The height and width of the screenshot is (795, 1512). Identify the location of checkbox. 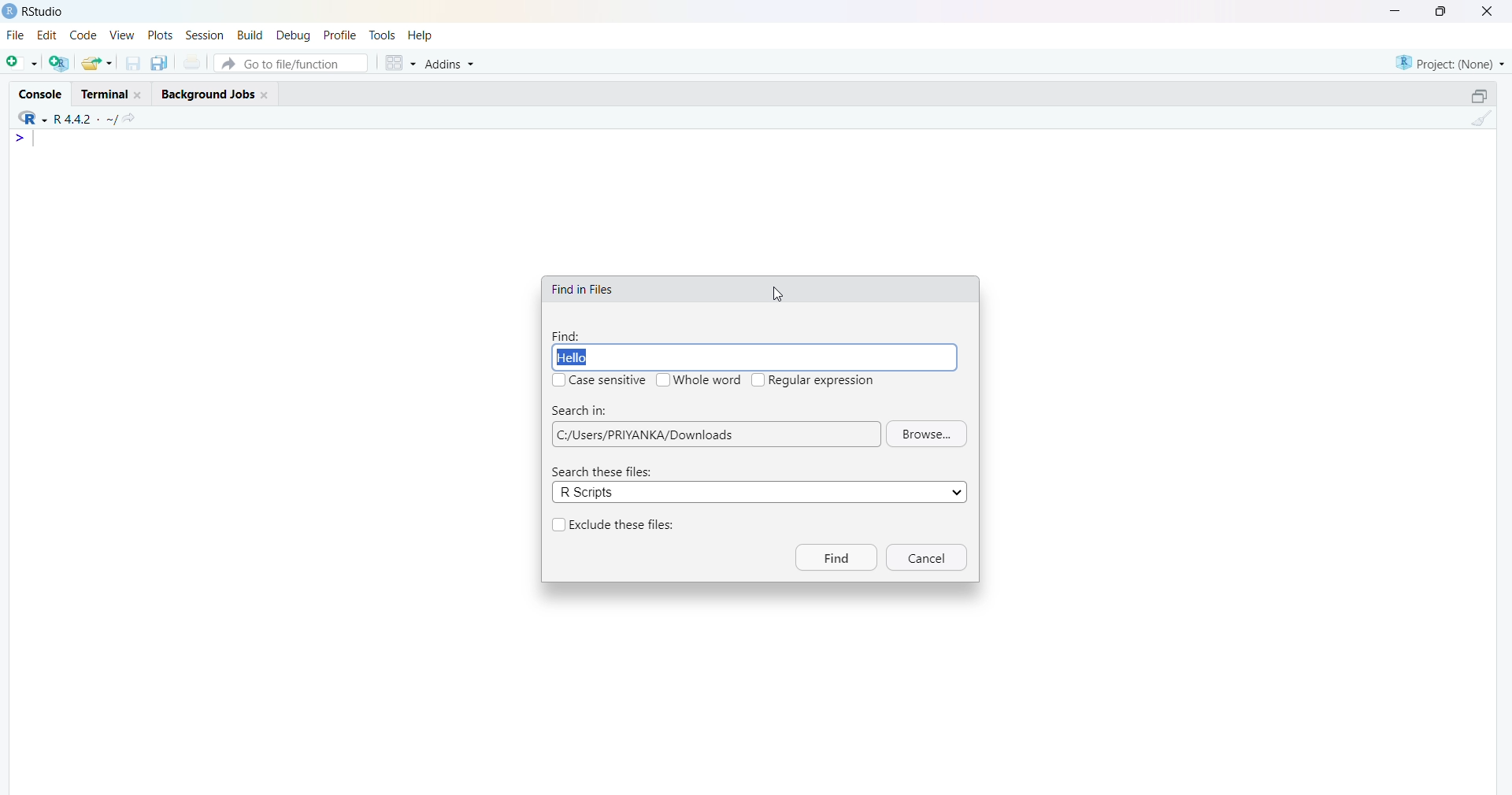
(561, 525).